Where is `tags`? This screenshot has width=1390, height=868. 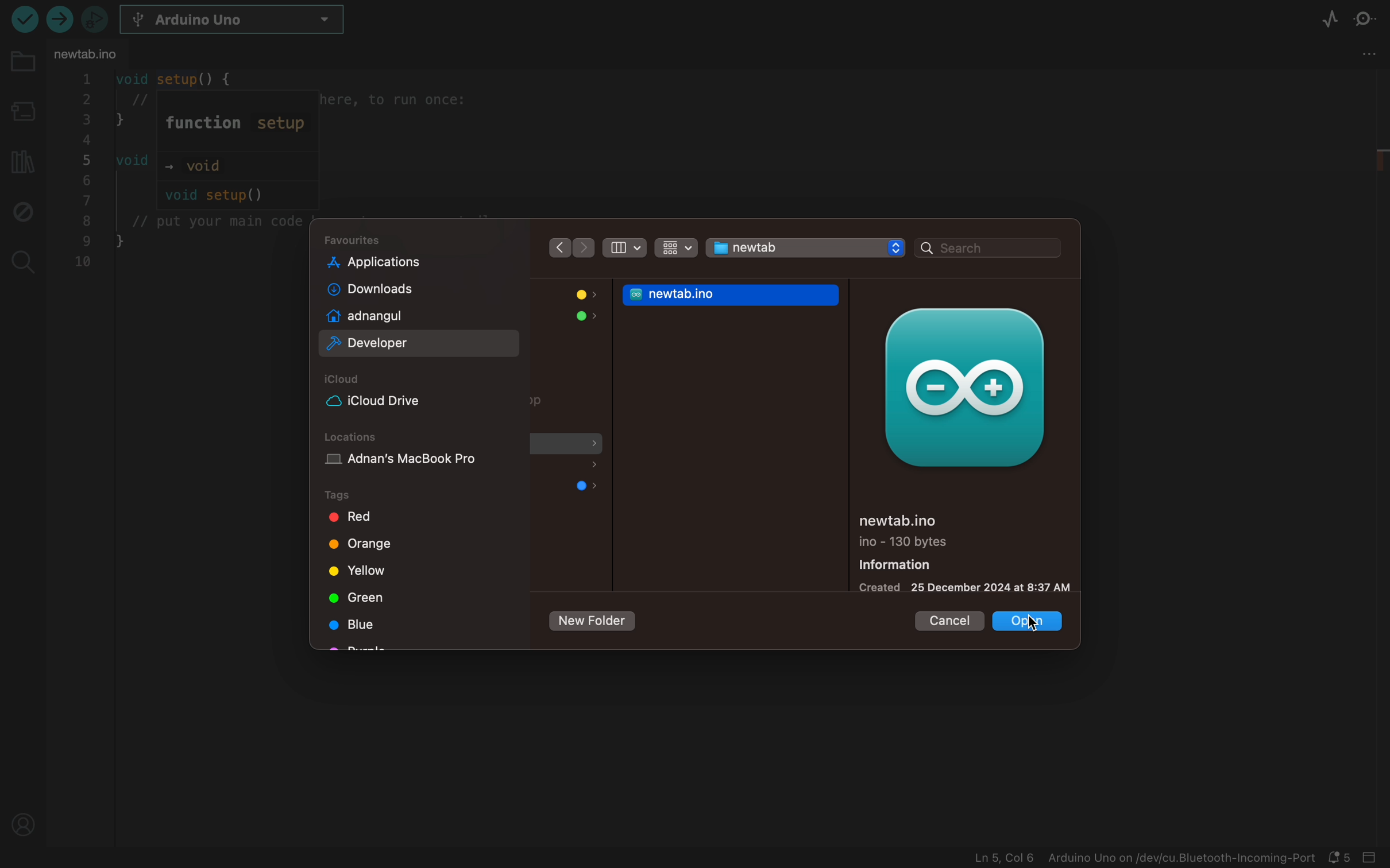 tags is located at coordinates (364, 622).